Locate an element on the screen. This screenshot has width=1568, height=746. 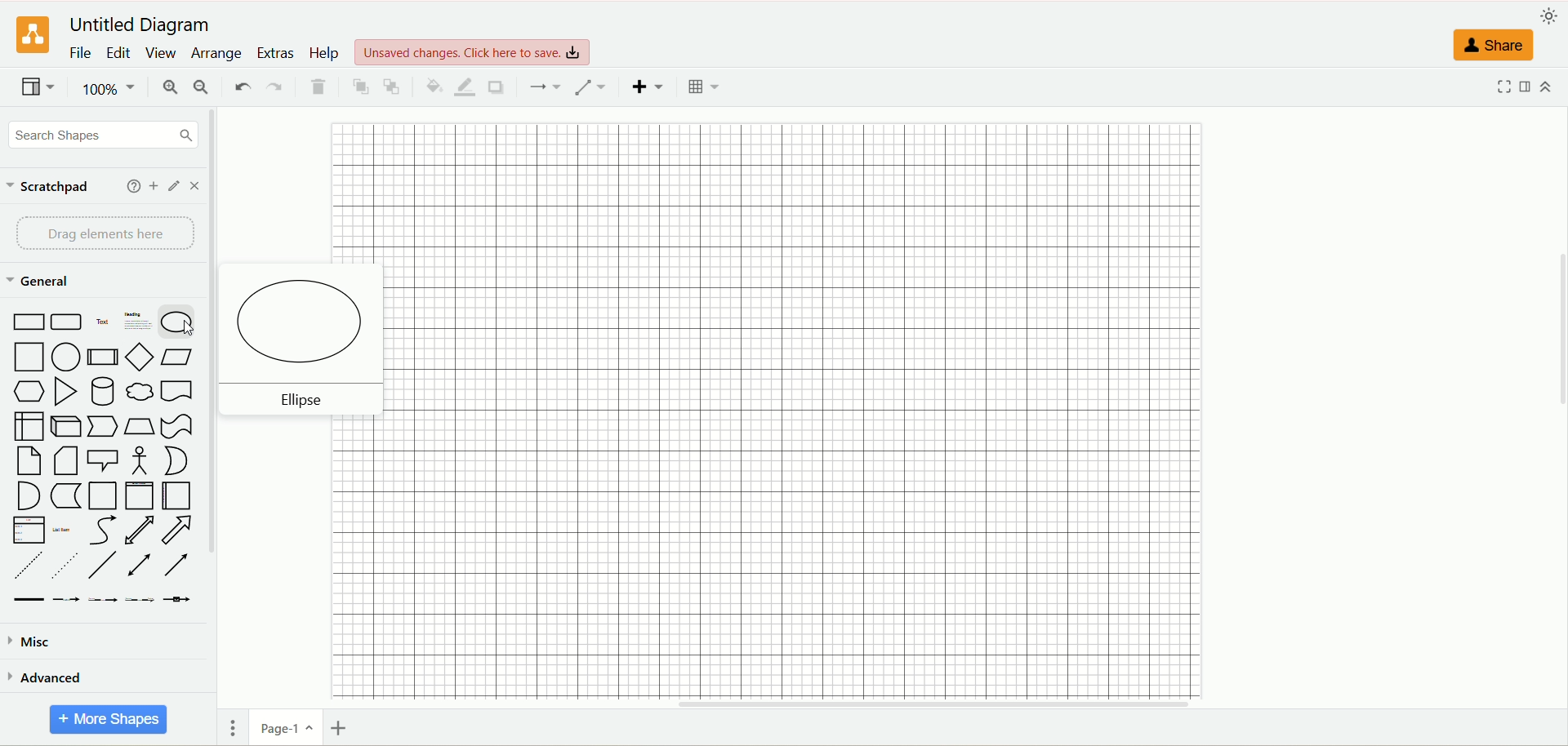
fullscreen is located at coordinates (1503, 91).